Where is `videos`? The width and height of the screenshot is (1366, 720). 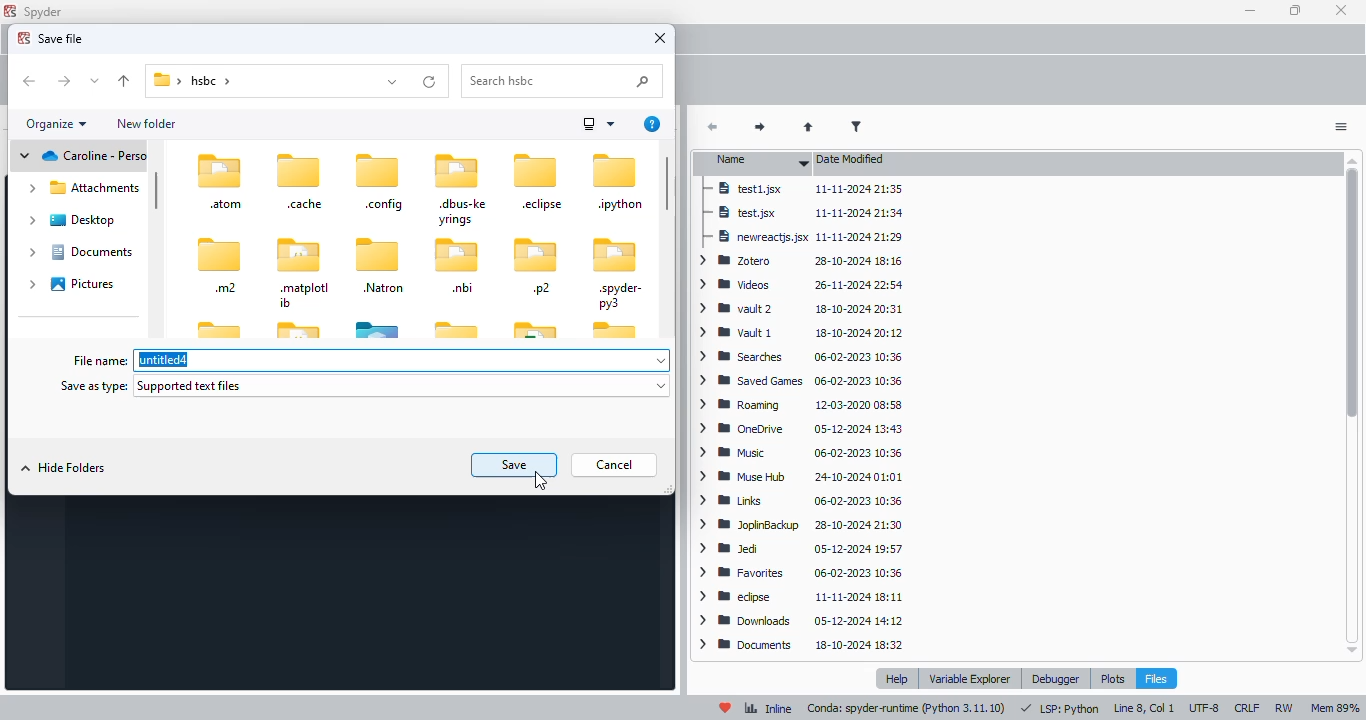 videos is located at coordinates (732, 285).